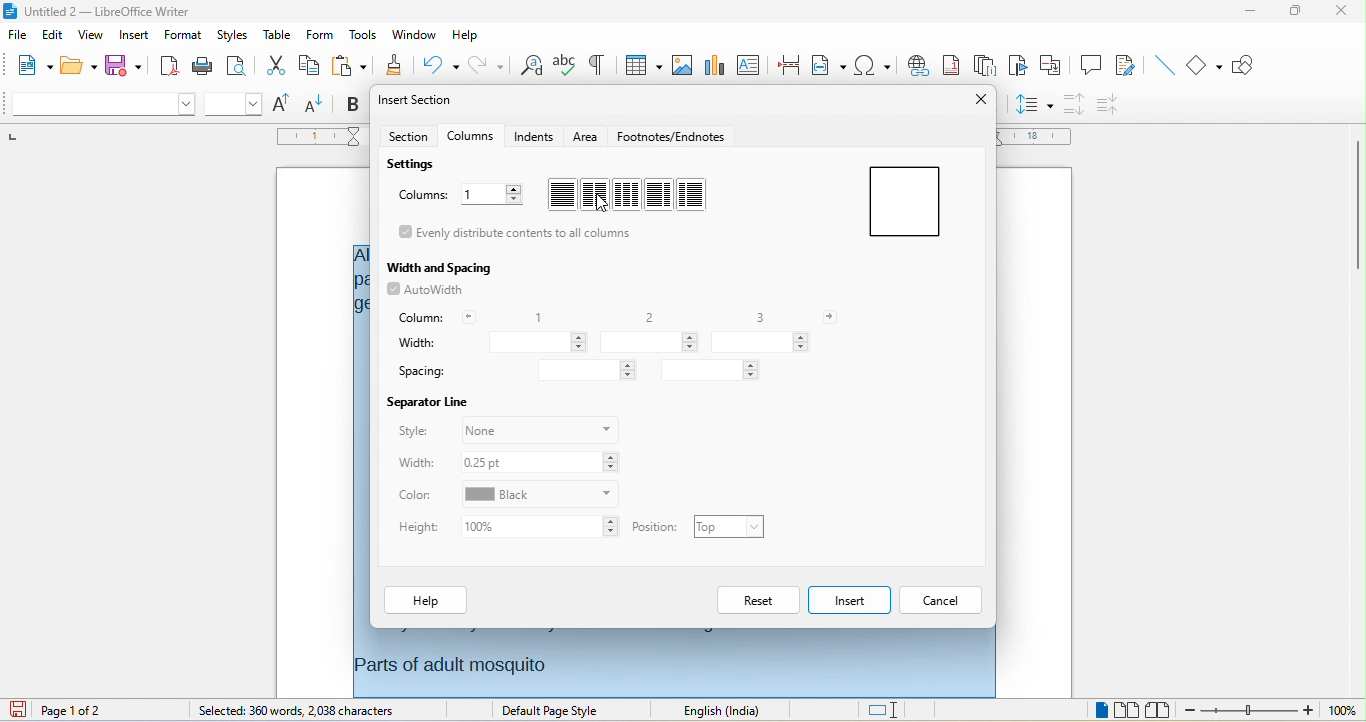 The width and height of the screenshot is (1366, 722). Describe the element at coordinates (672, 135) in the screenshot. I see `footnotes/endnotes` at that location.